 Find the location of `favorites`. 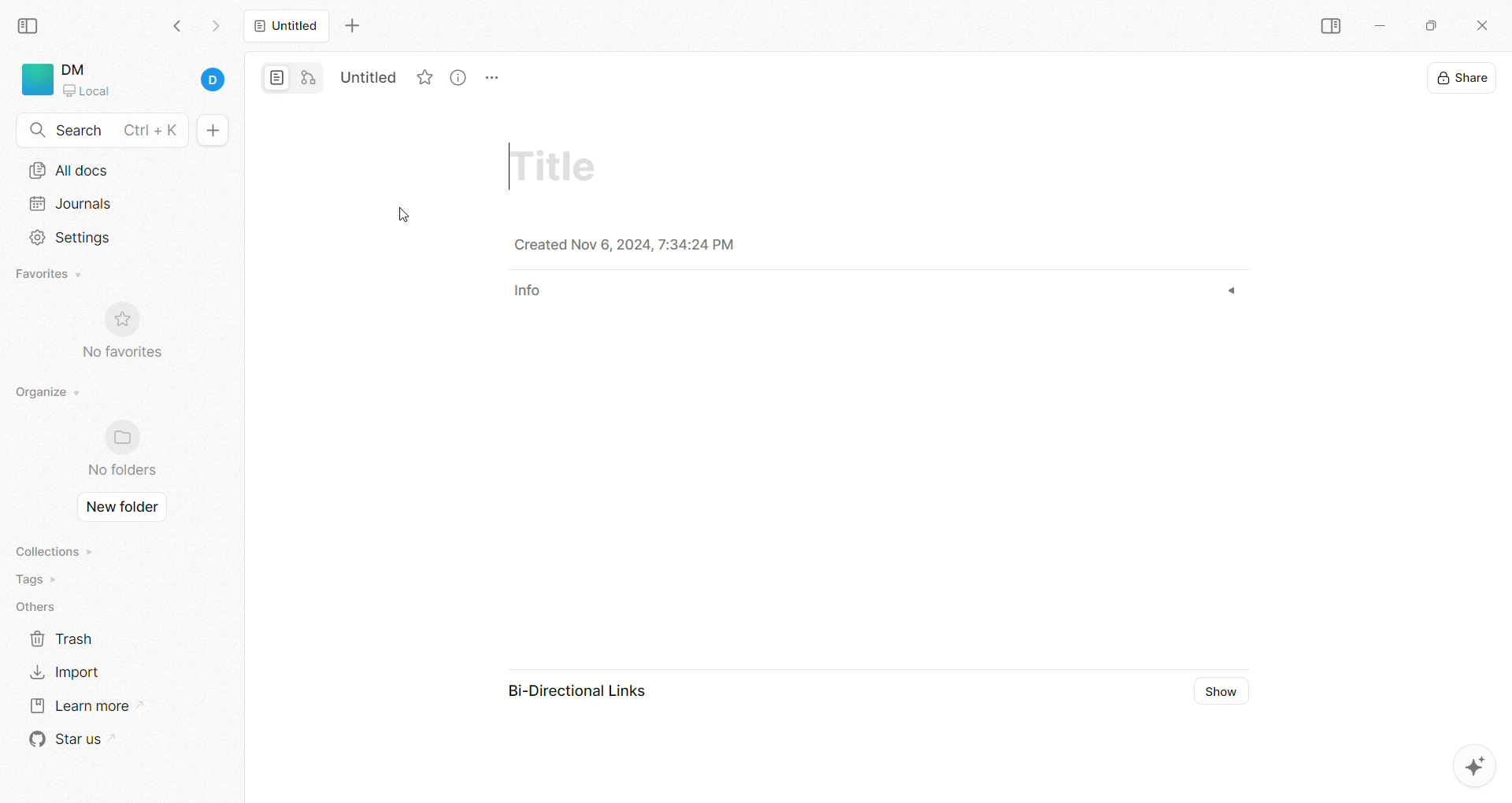

favorites is located at coordinates (51, 276).